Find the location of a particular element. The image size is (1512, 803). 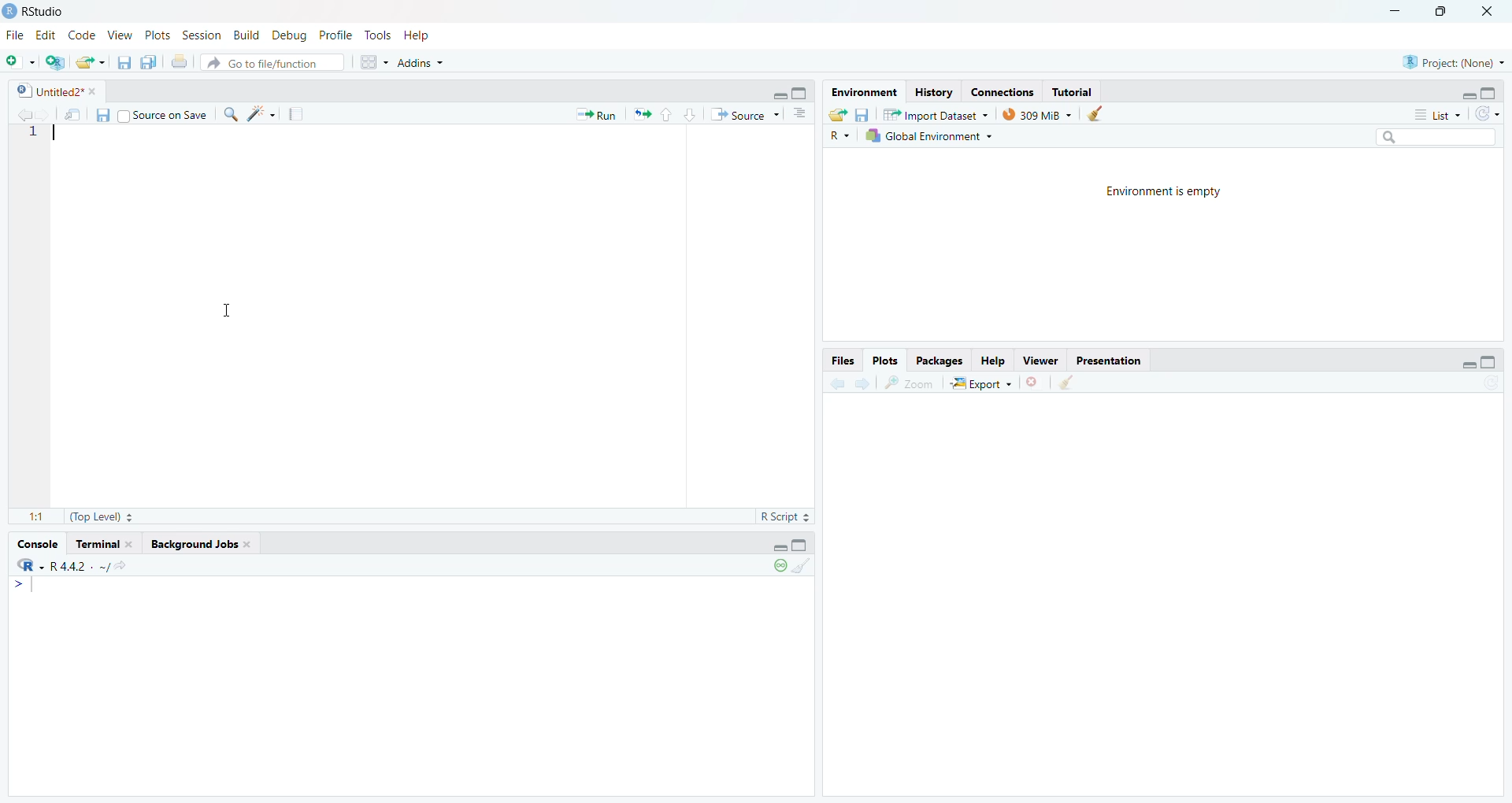

Plots is located at coordinates (155, 35).